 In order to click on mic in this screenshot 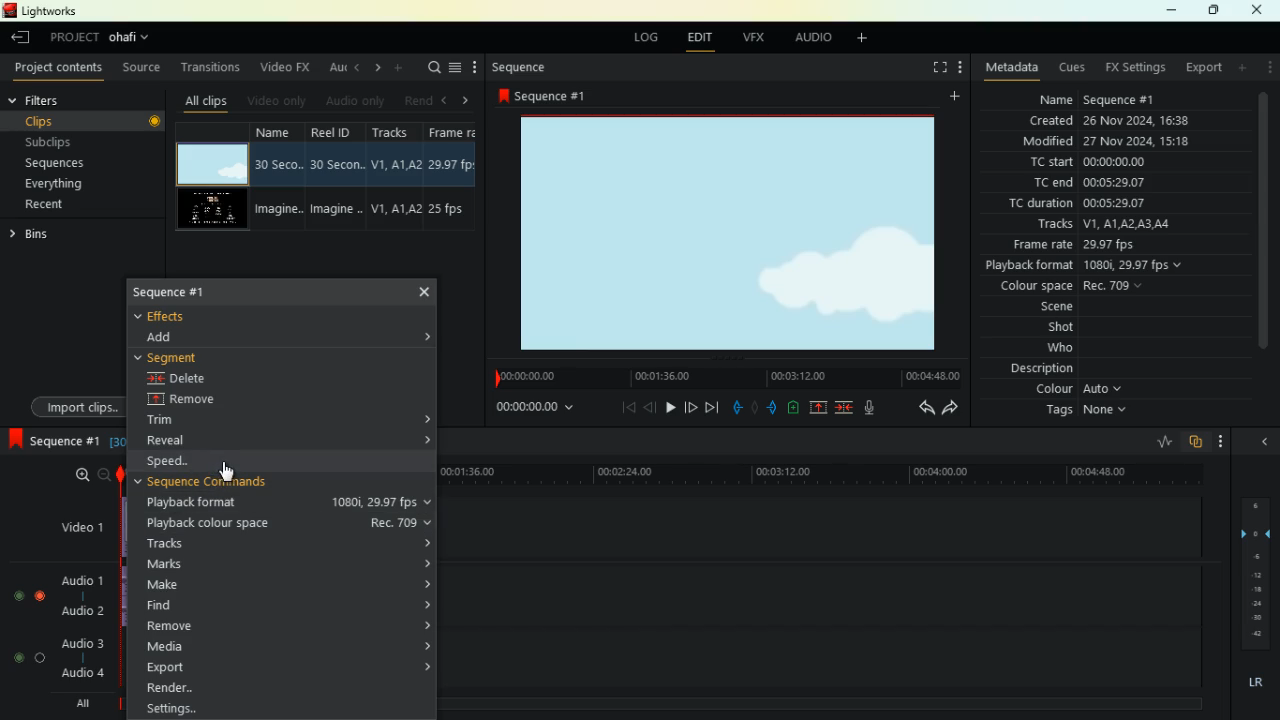, I will do `click(873, 405)`.